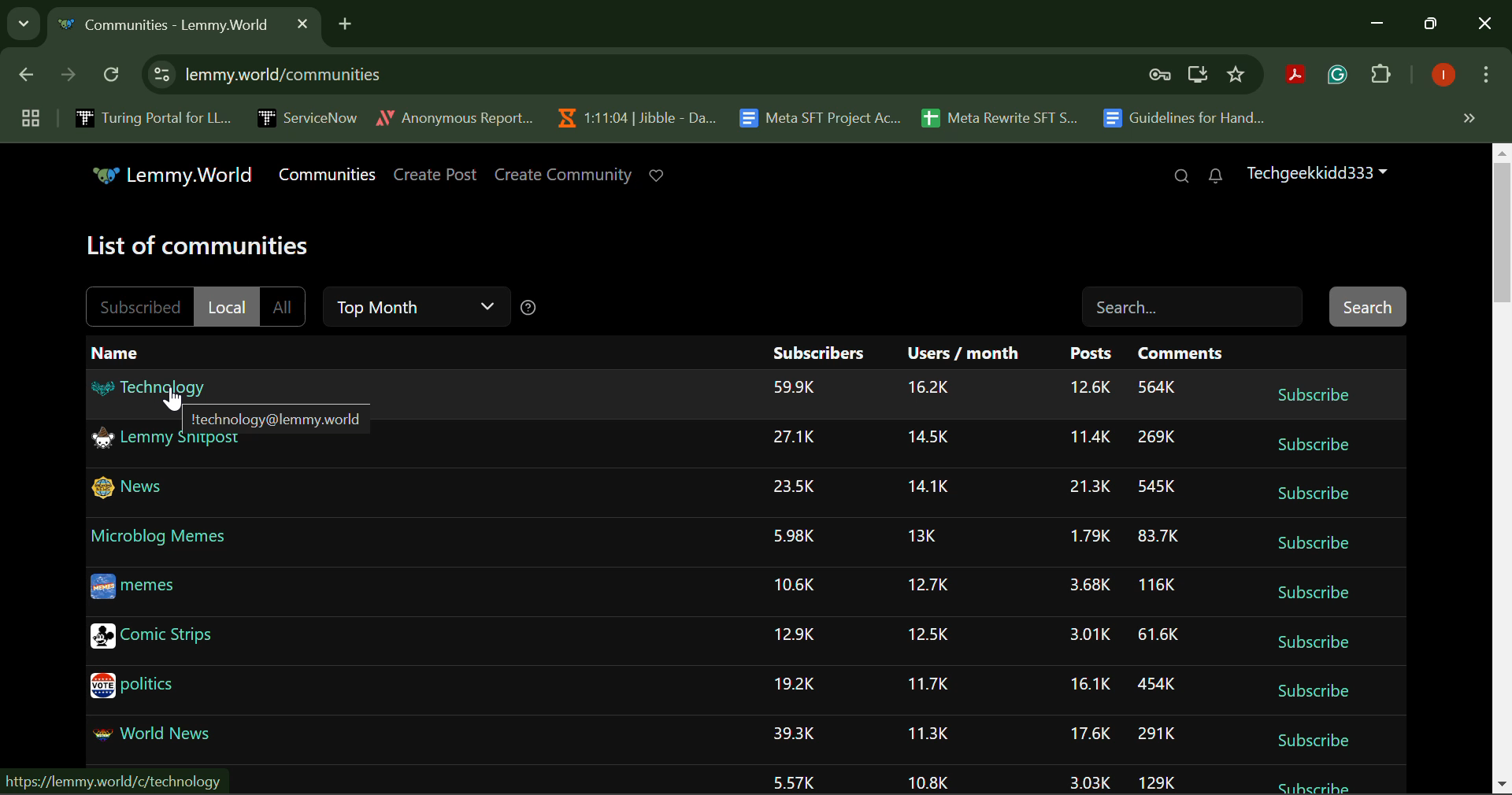 The image size is (1512, 795). I want to click on Subscribed Filter Unselected, so click(138, 307).